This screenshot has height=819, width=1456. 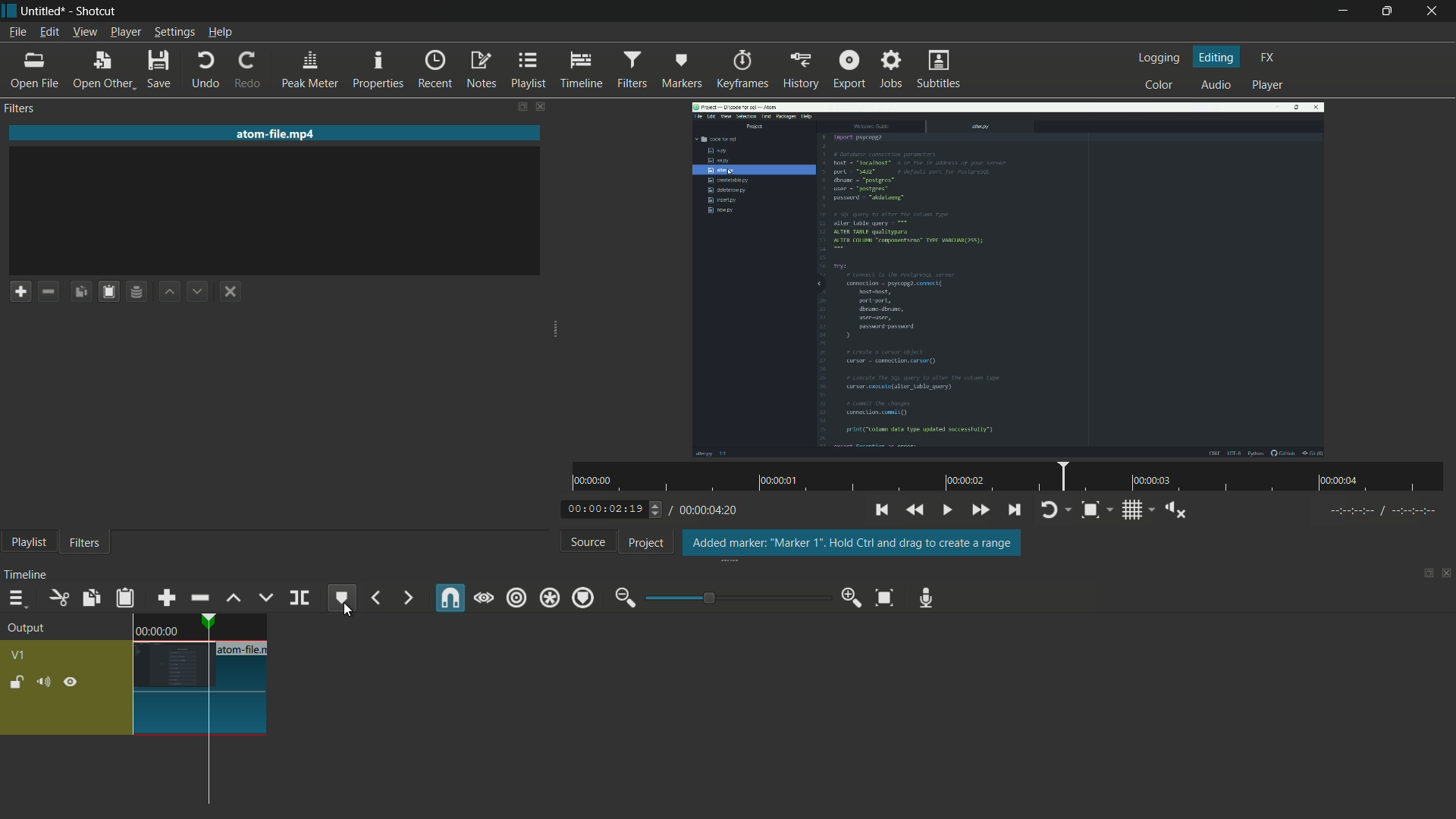 What do you see at coordinates (49, 32) in the screenshot?
I see `edit menu` at bounding box center [49, 32].